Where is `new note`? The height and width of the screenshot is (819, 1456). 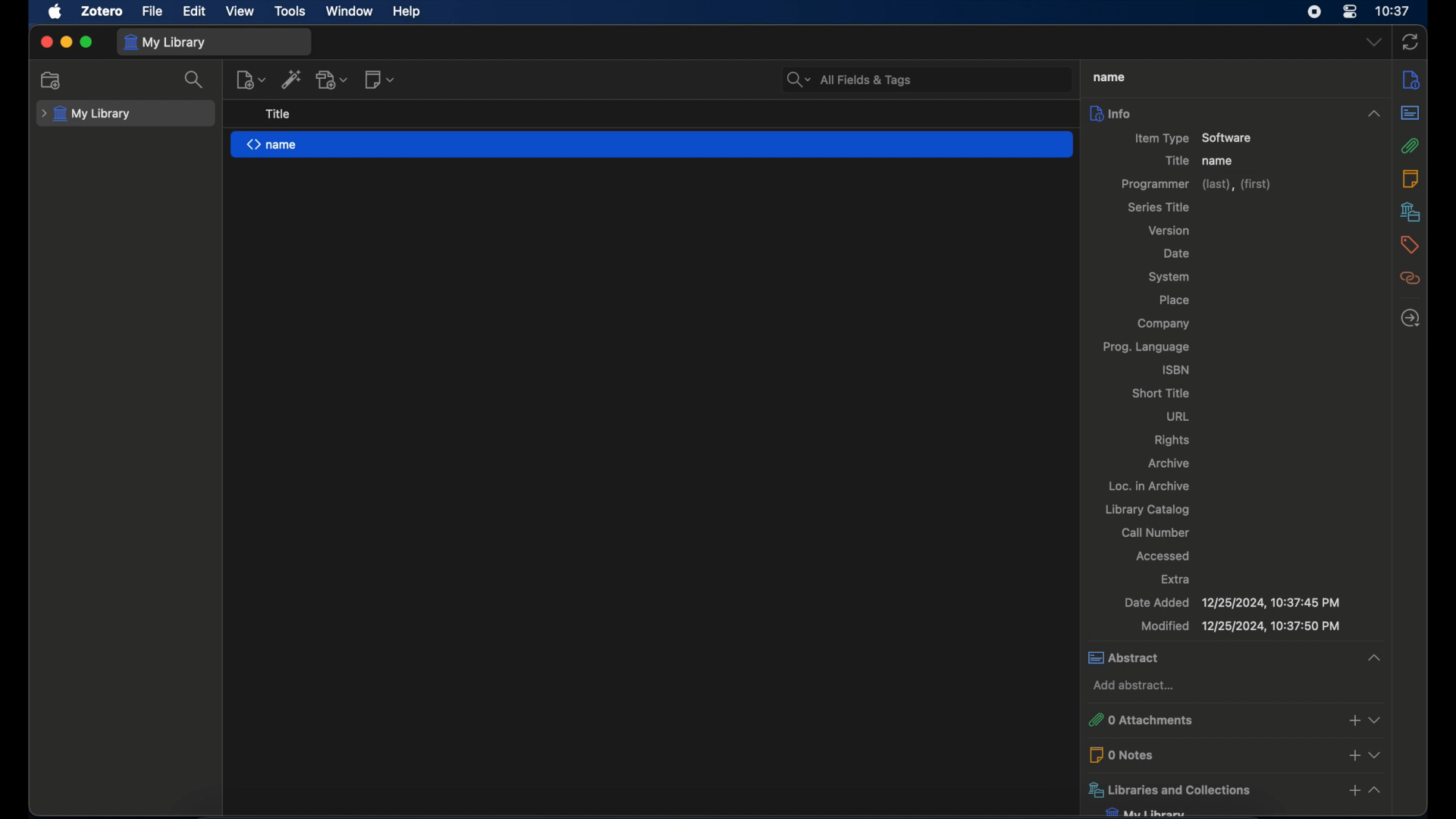 new note is located at coordinates (381, 79).